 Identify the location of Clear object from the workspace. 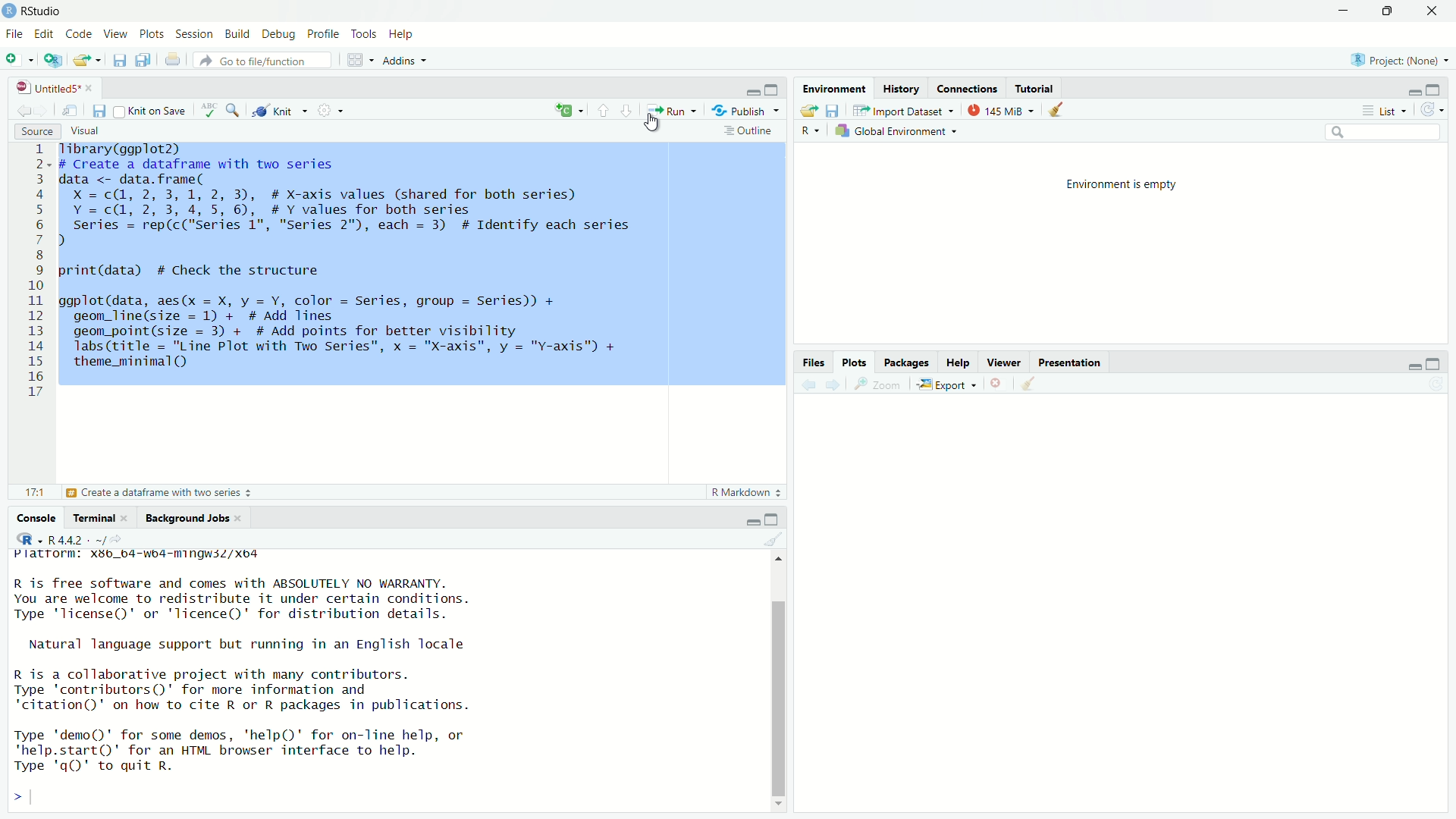
(773, 539).